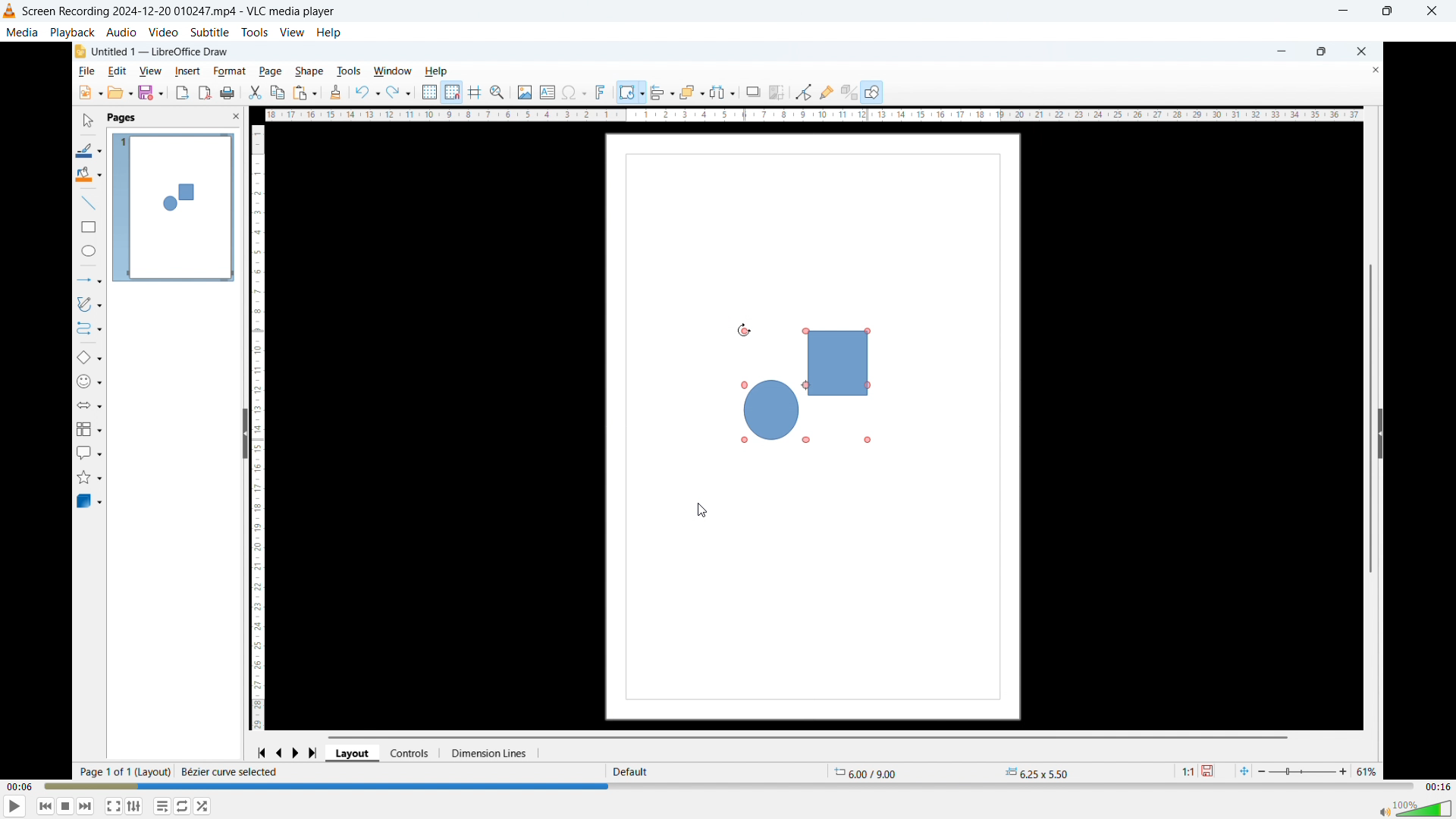  Describe the element at coordinates (1432, 11) in the screenshot. I see `close ` at that location.